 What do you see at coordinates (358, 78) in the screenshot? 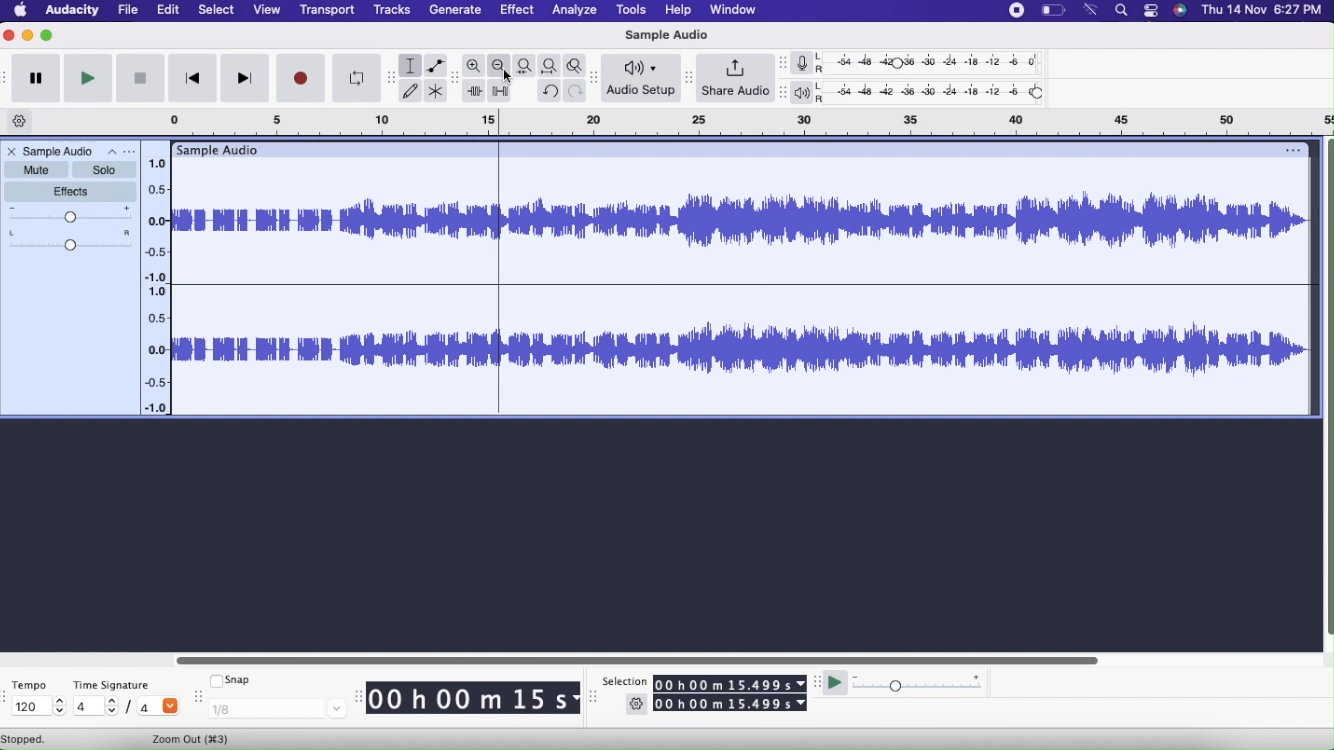
I see `Enable Looping` at bounding box center [358, 78].